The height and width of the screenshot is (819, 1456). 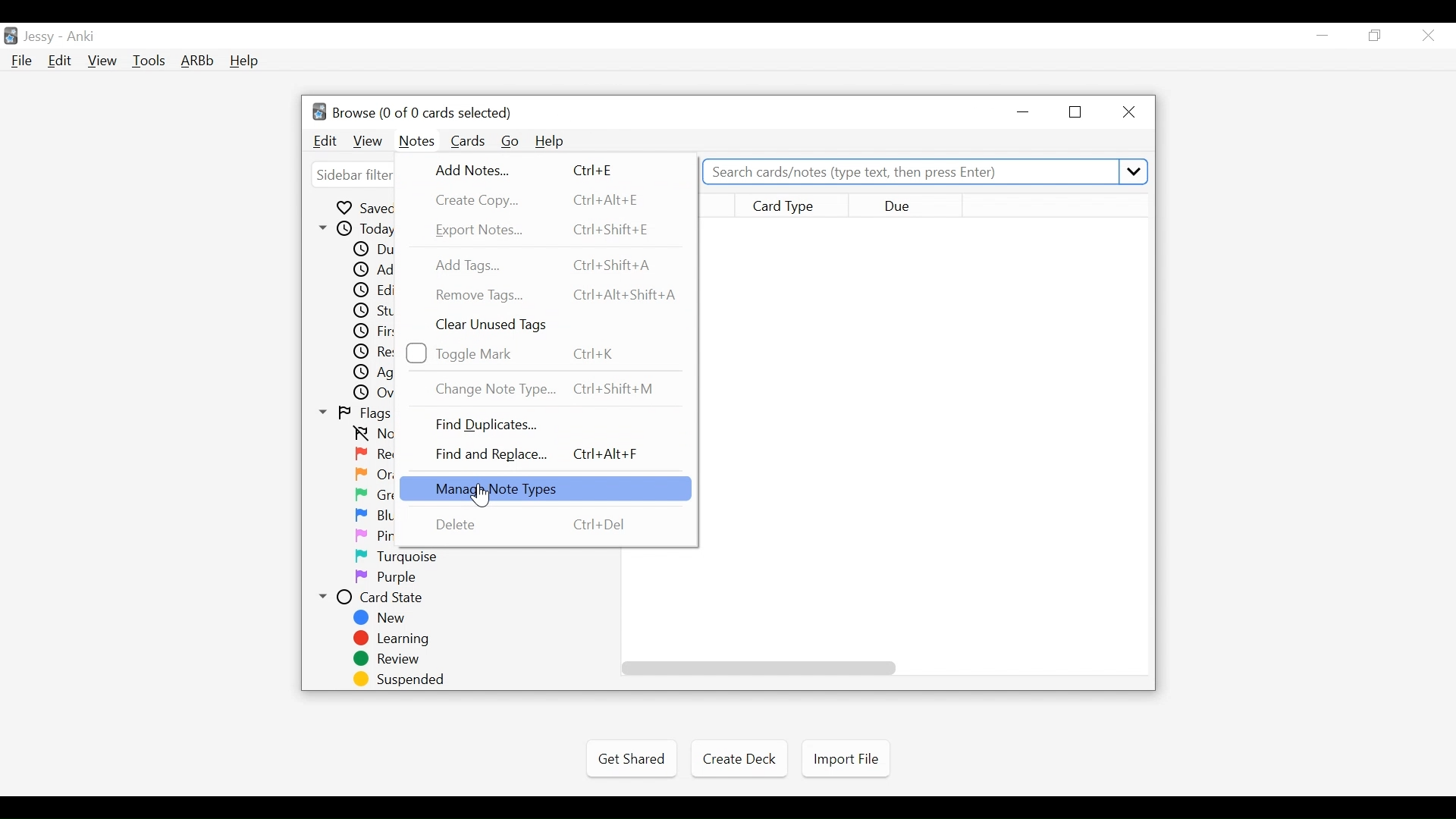 I want to click on Edit, so click(x=326, y=141).